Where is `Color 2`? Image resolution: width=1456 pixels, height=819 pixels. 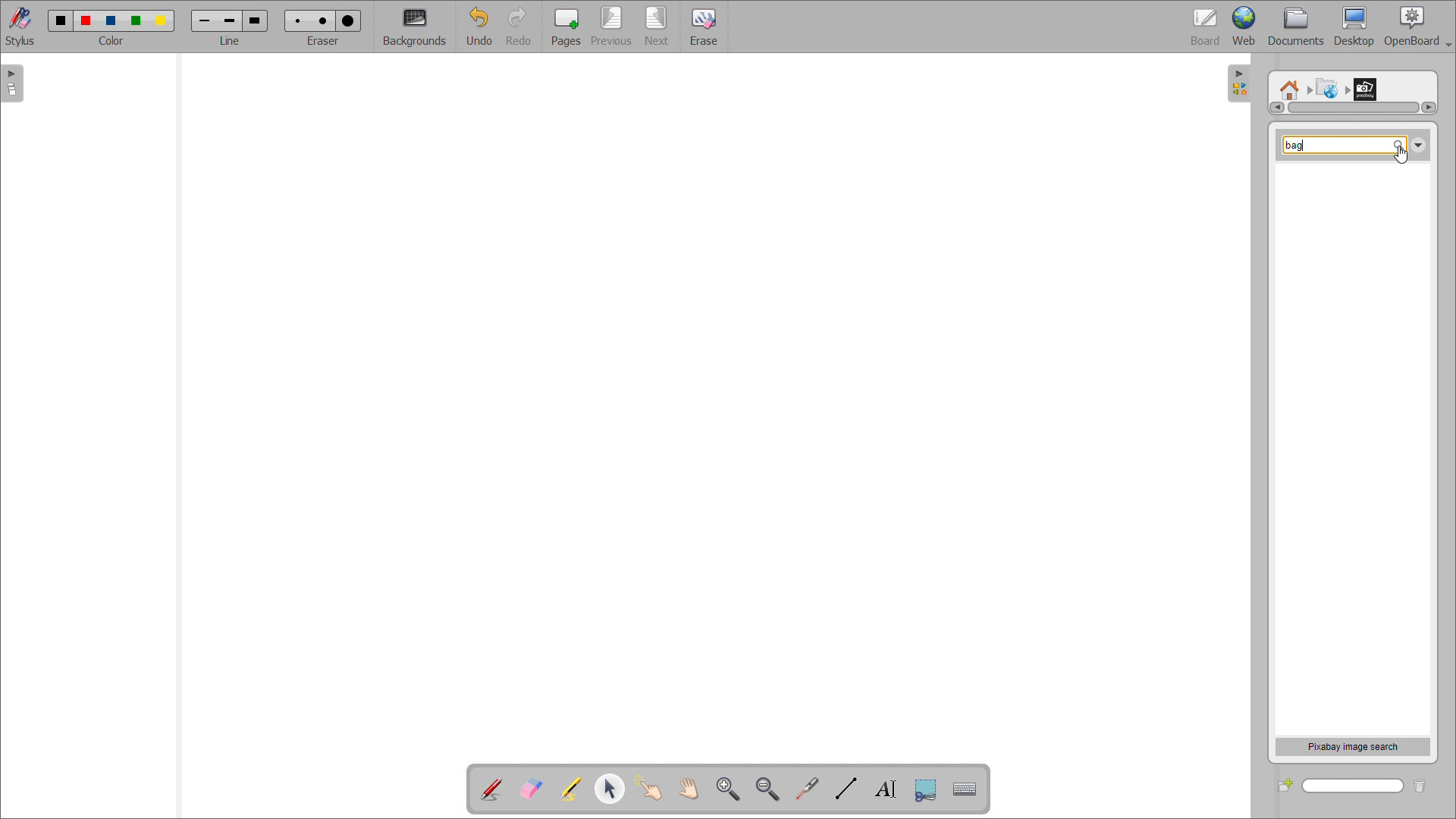 Color 2 is located at coordinates (86, 19).